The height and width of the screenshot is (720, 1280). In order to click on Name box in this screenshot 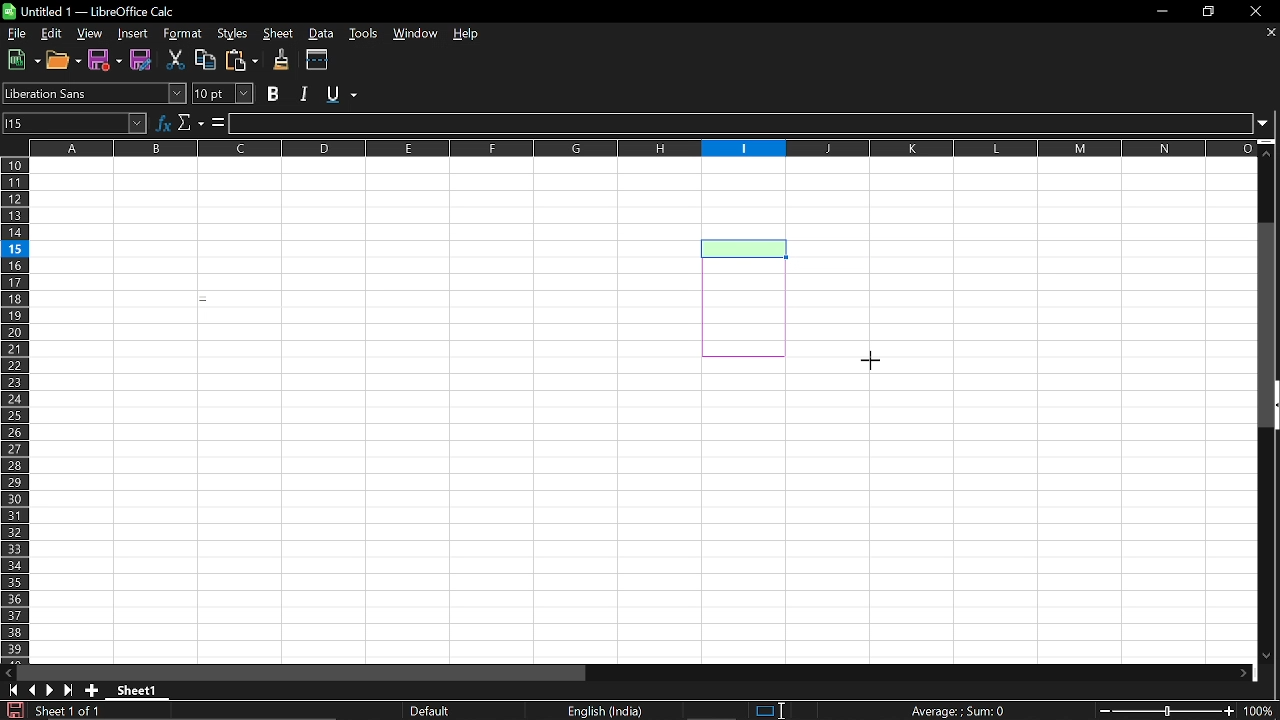, I will do `click(74, 122)`.